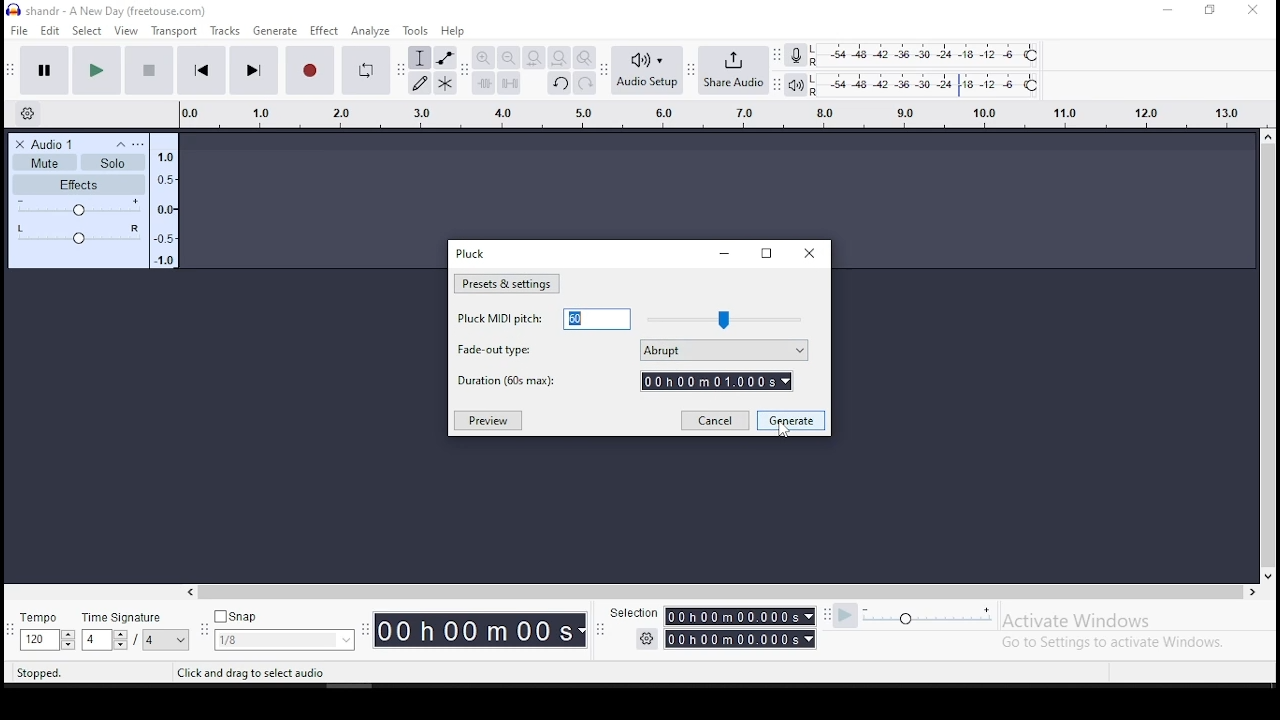  What do you see at coordinates (284, 628) in the screenshot?
I see `time signature` at bounding box center [284, 628].